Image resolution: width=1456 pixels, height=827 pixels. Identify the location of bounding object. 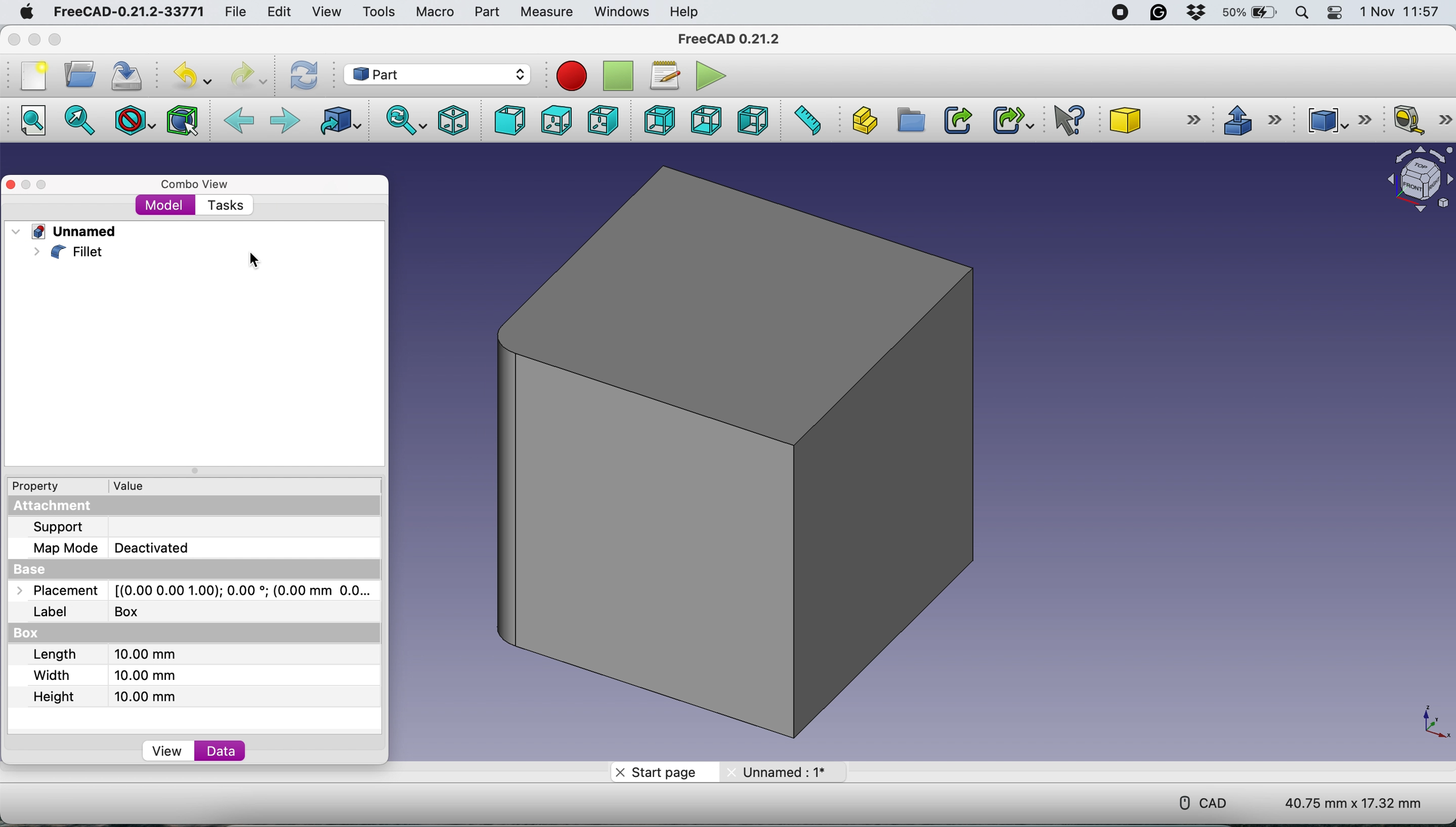
(183, 121).